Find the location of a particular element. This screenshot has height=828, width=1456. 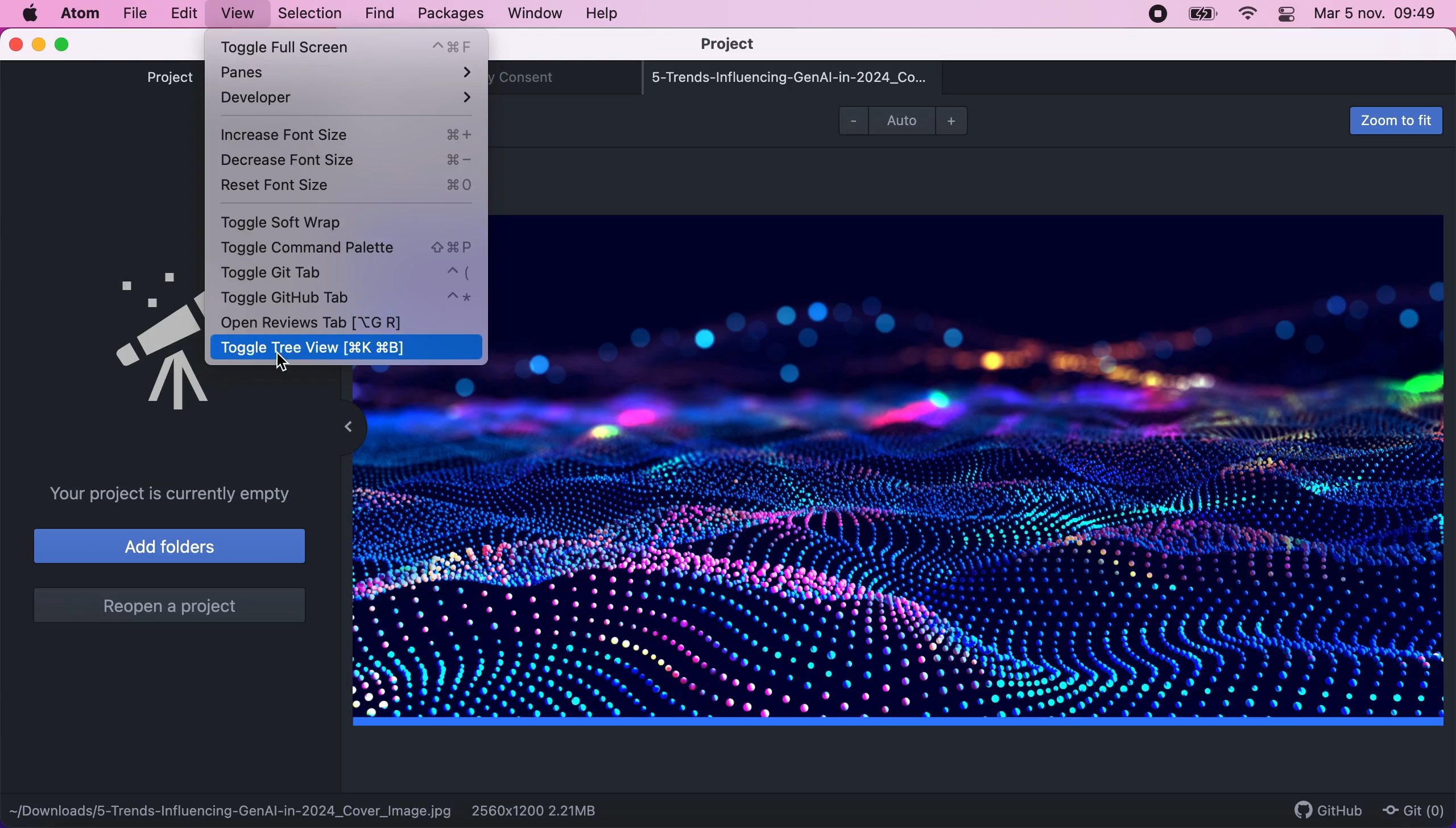

developer is located at coordinates (351, 100).